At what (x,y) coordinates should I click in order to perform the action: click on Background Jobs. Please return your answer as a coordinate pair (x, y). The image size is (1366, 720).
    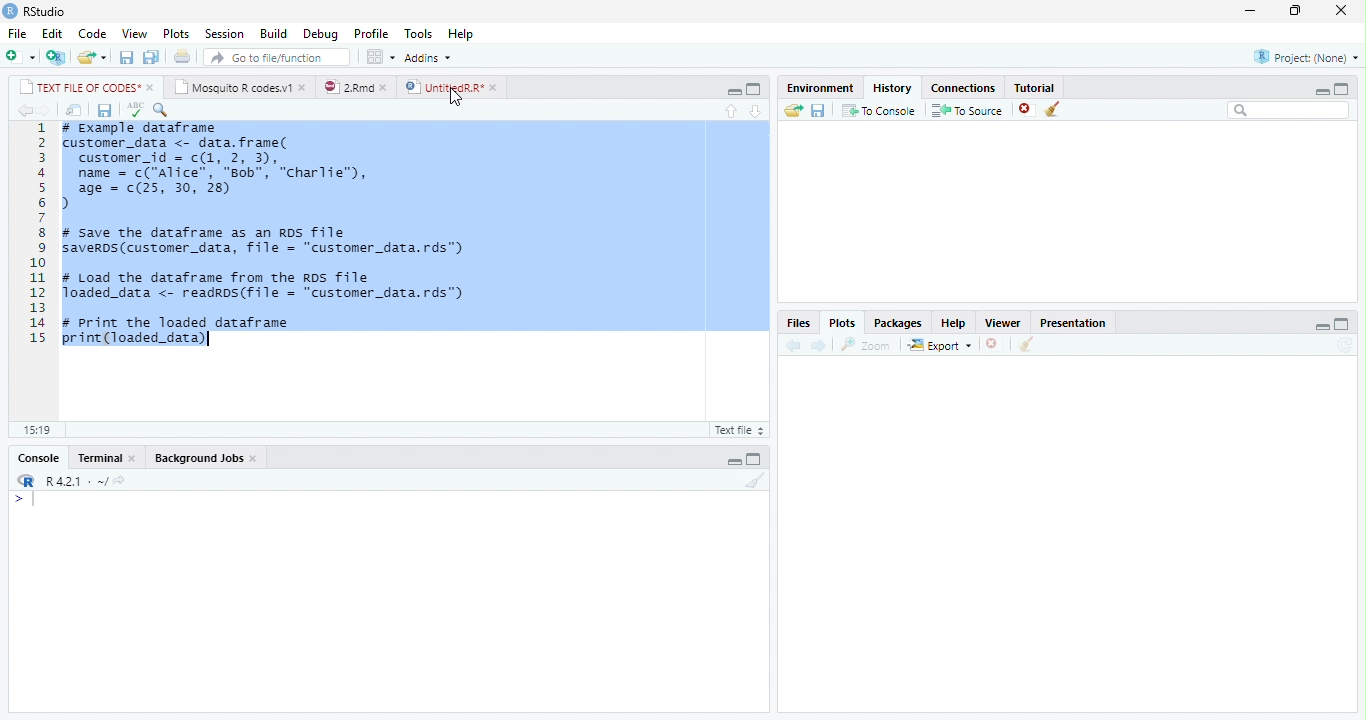
    Looking at the image, I should click on (198, 458).